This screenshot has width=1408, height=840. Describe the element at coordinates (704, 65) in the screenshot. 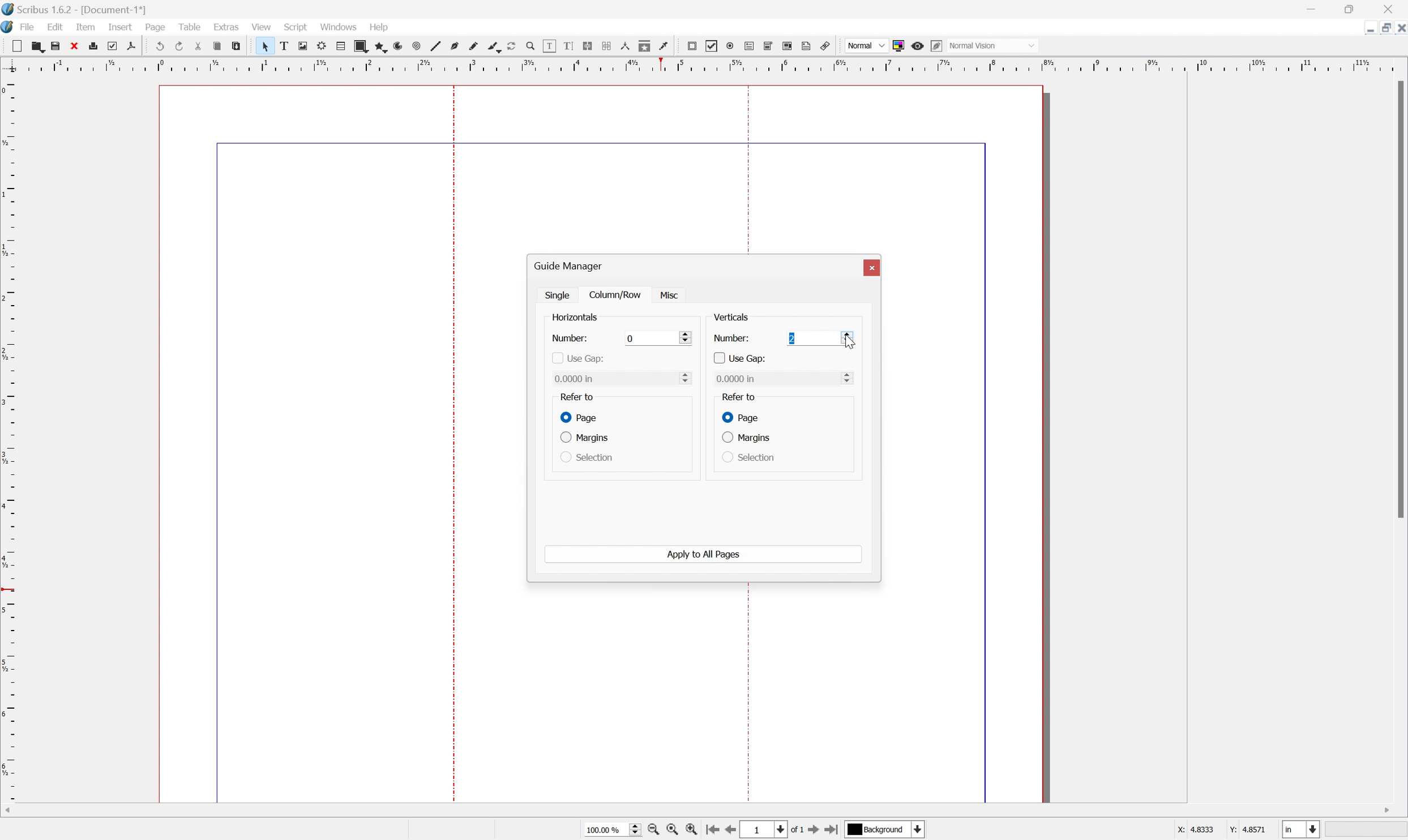

I see `ruler` at that location.